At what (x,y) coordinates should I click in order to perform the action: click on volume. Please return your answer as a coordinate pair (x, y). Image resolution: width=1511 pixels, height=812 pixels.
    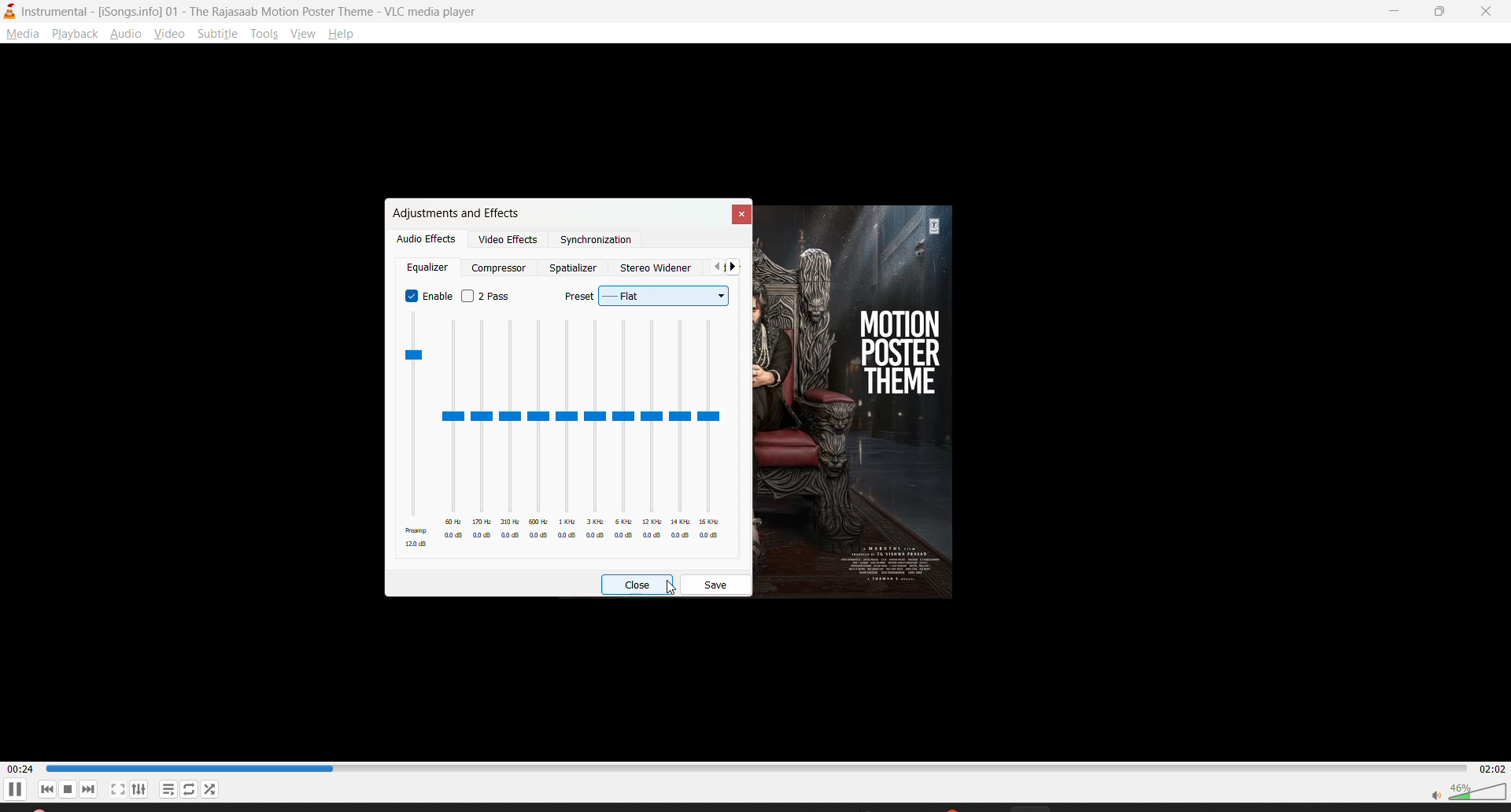
    Looking at the image, I should click on (1468, 790).